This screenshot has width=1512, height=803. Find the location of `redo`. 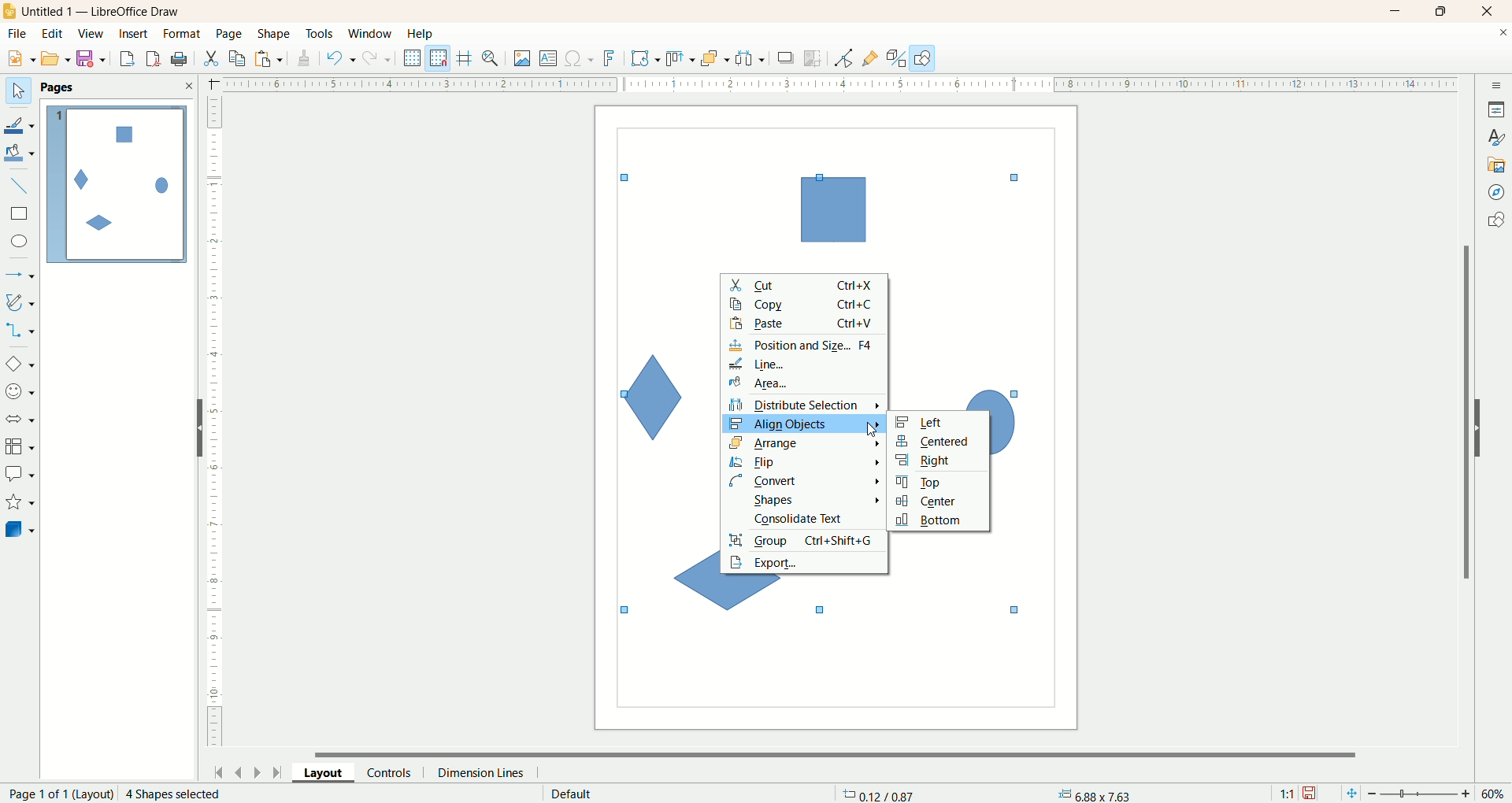

redo is located at coordinates (380, 57).